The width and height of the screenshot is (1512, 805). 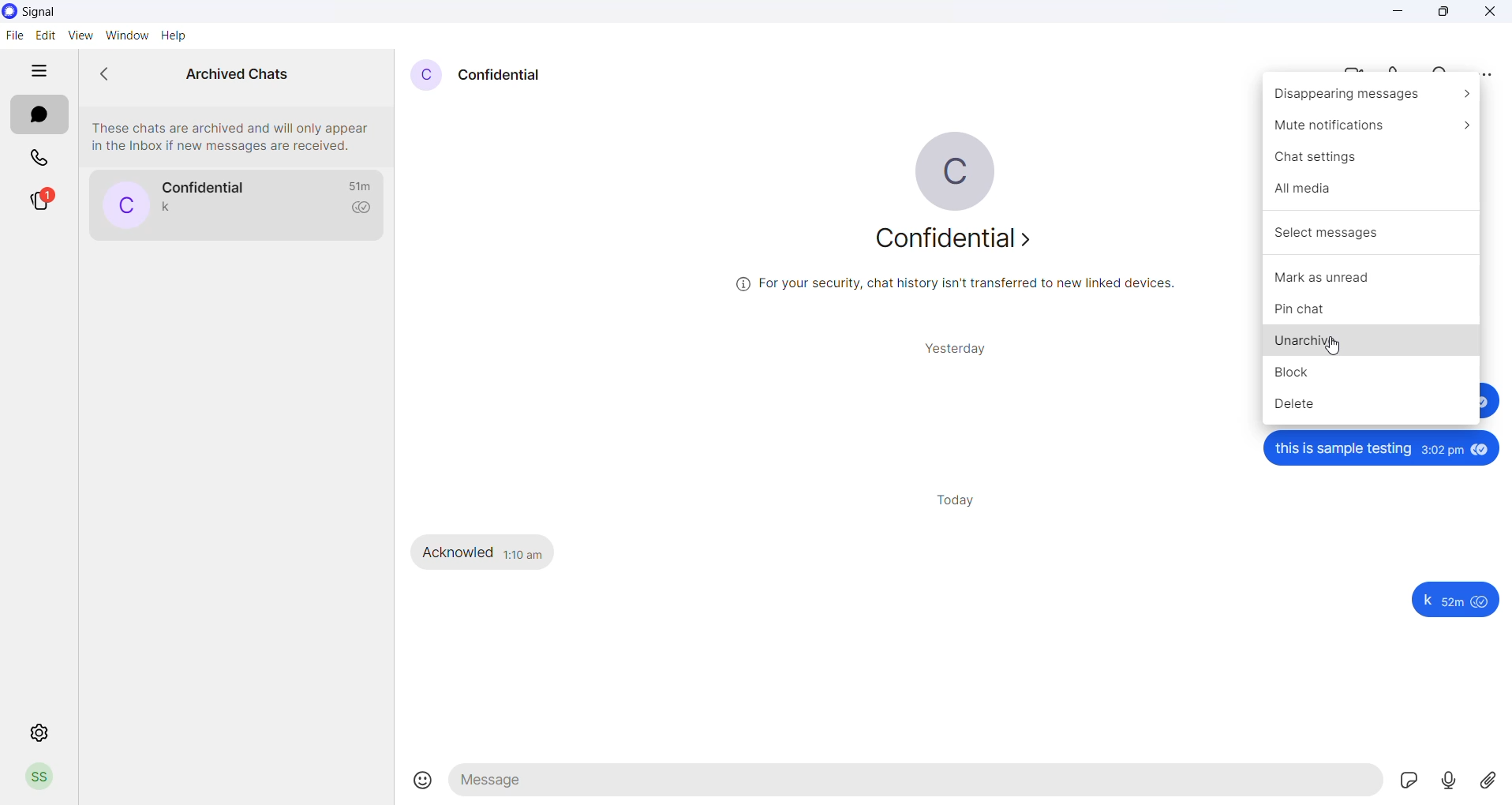 I want to click on profile picture, so click(x=426, y=73).